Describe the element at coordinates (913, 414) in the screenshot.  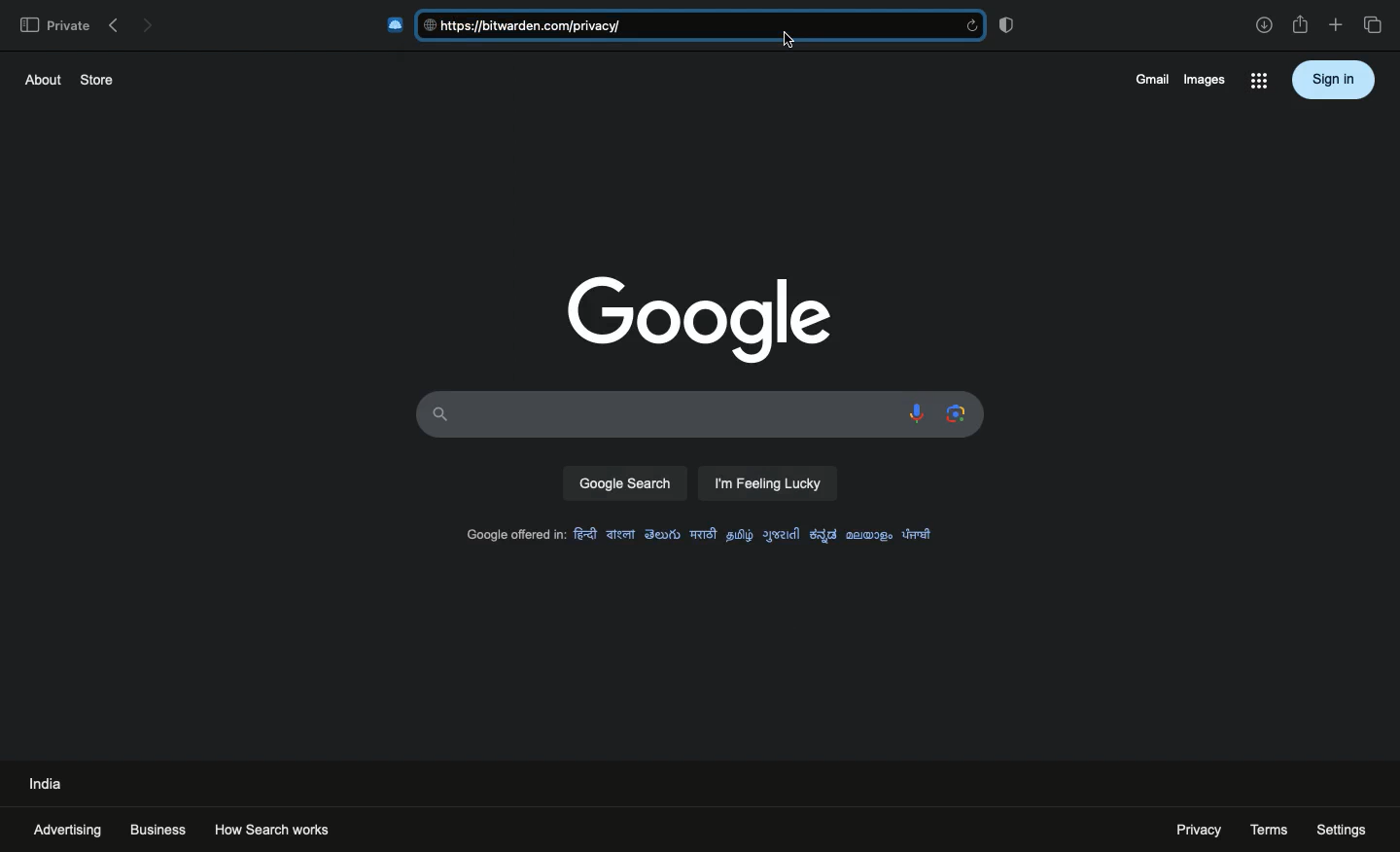
I see `audio recorder` at that location.